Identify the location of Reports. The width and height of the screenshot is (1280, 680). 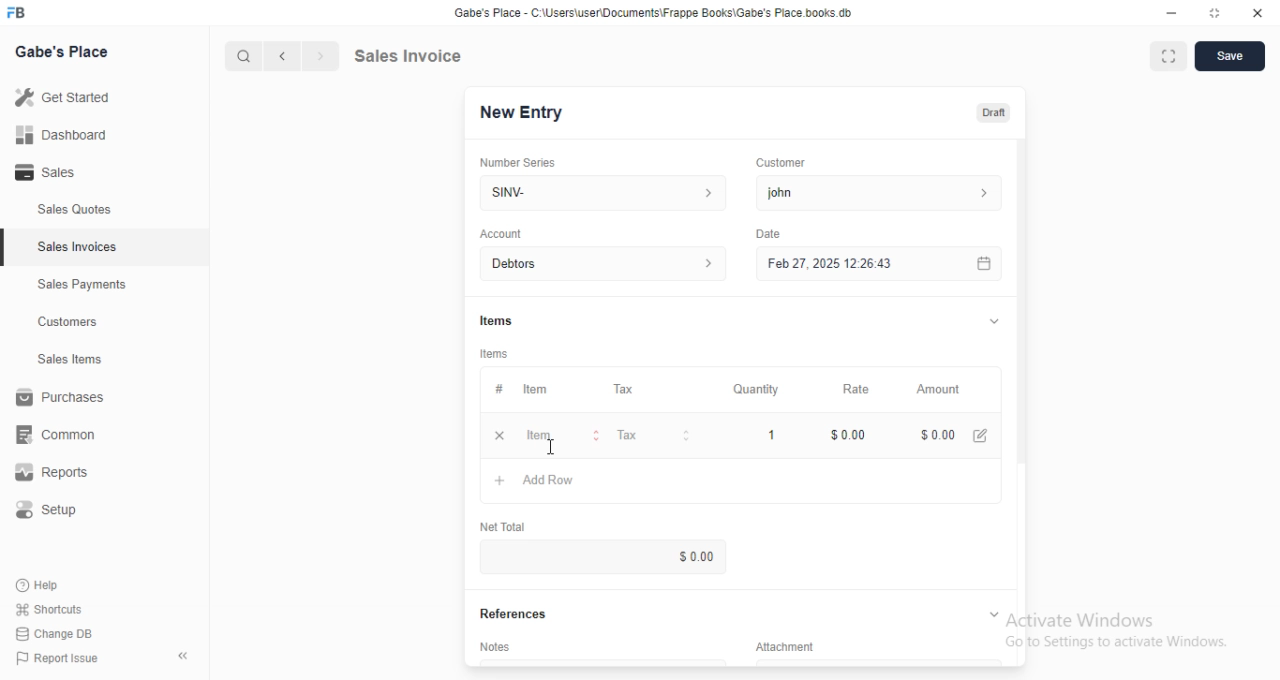
(49, 473).